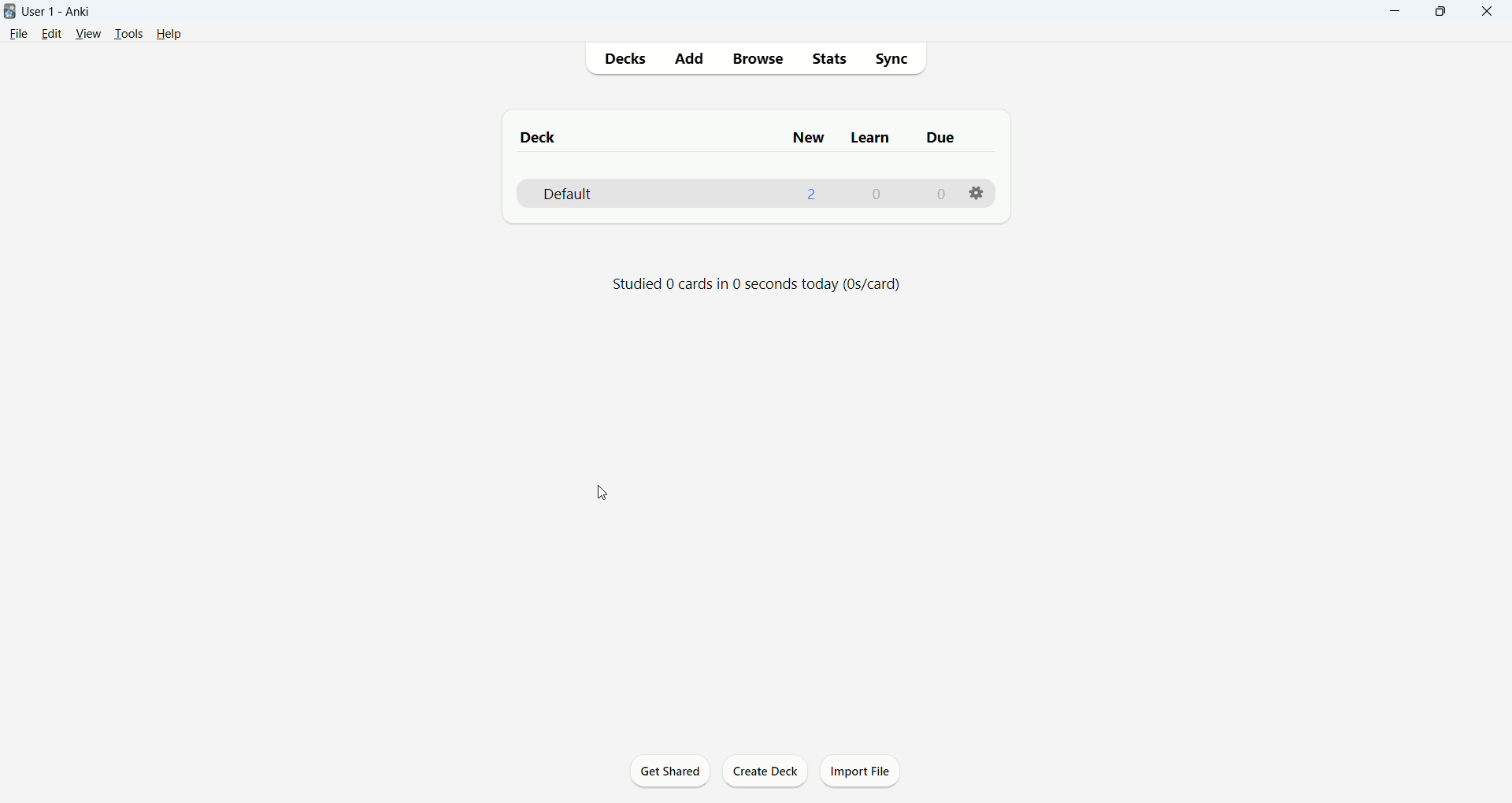 The image size is (1512, 803). I want to click on close, so click(1489, 10).